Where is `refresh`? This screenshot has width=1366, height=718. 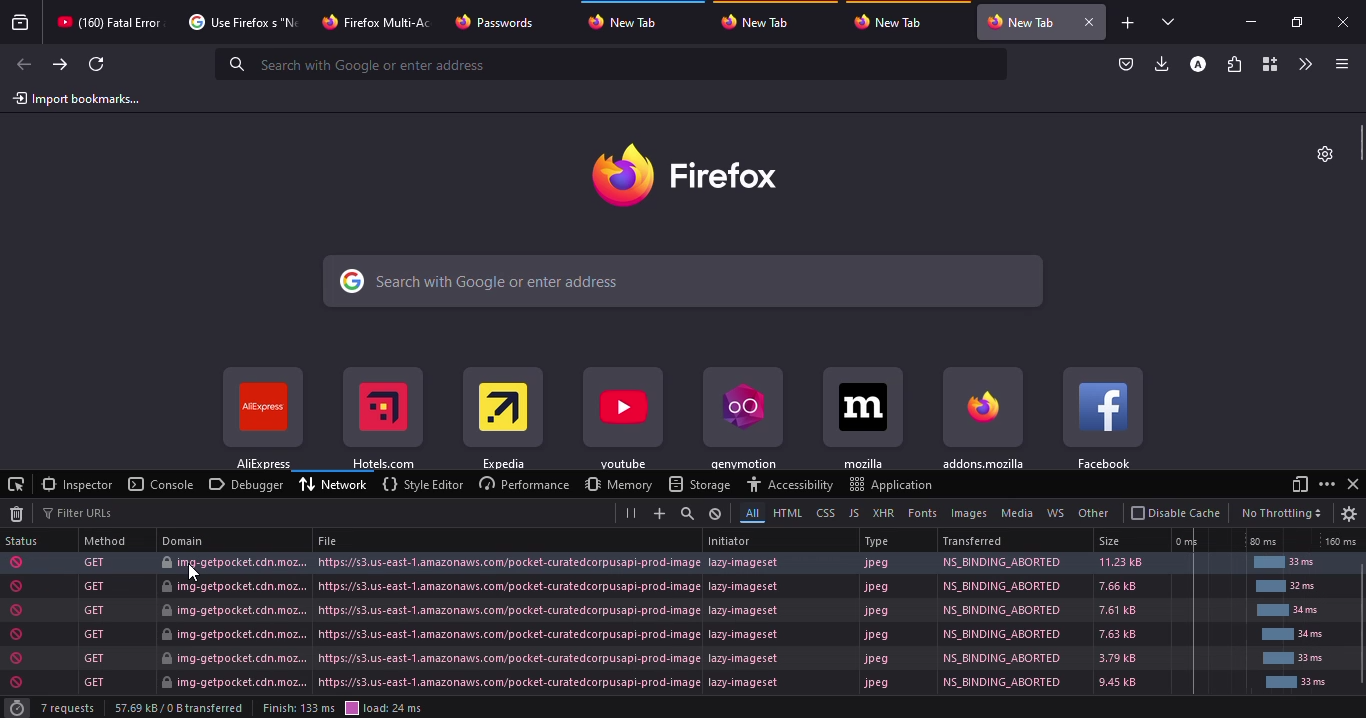 refresh is located at coordinates (96, 65).